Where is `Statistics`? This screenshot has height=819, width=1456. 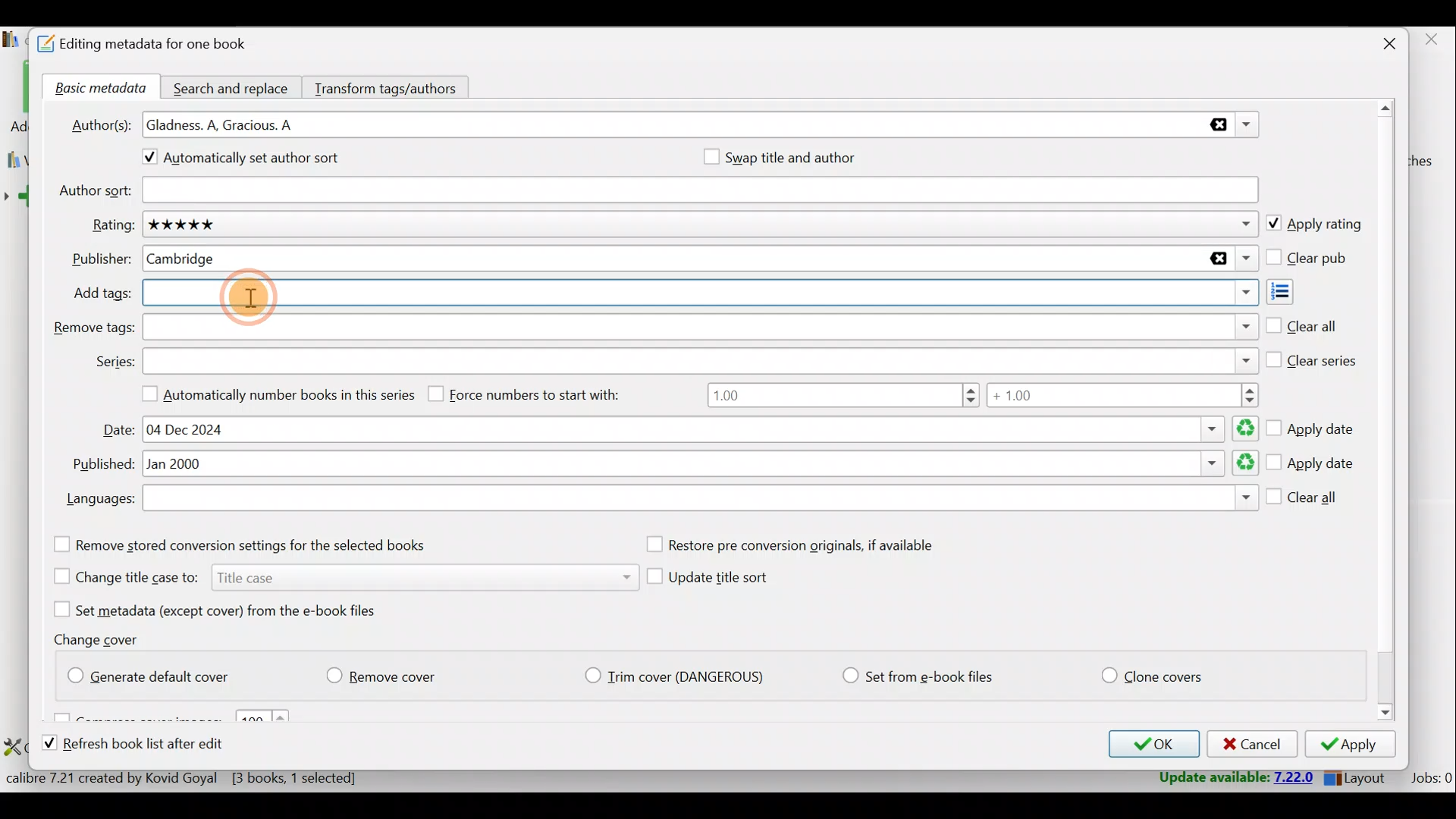 Statistics is located at coordinates (210, 777).